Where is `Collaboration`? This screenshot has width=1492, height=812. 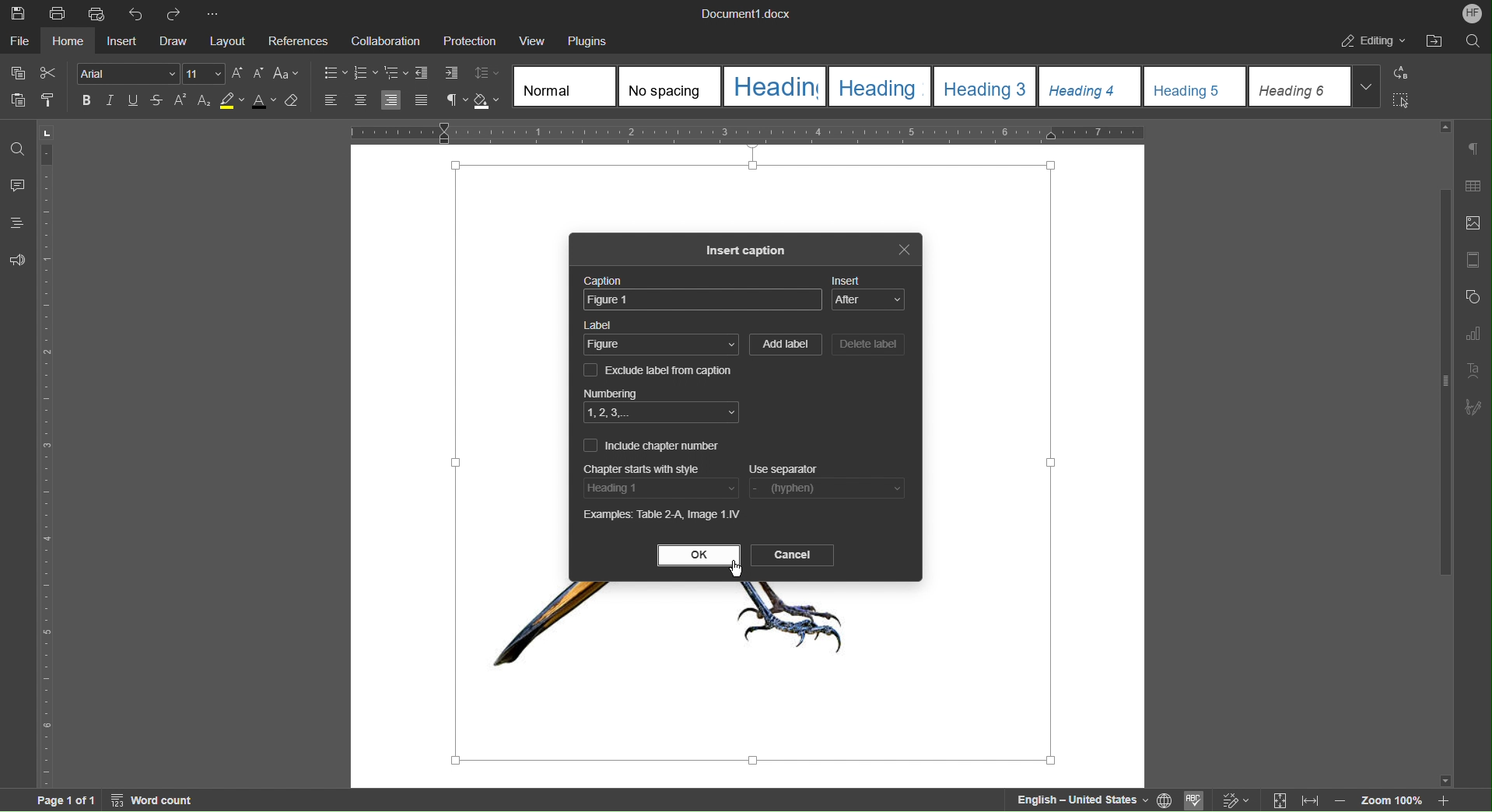 Collaboration is located at coordinates (385, 43).